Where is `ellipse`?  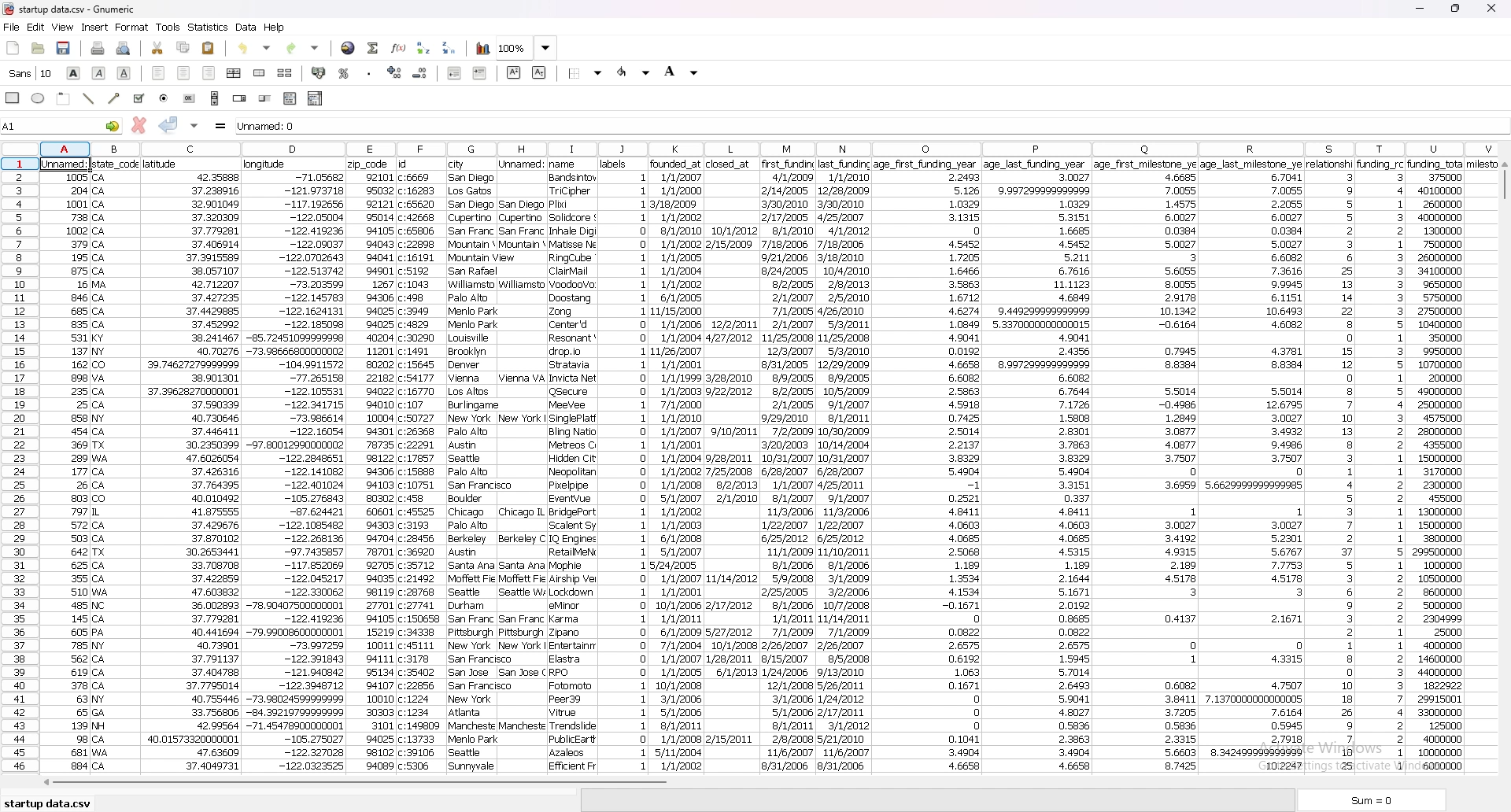 ellipse is located at coordinates (39, 98).